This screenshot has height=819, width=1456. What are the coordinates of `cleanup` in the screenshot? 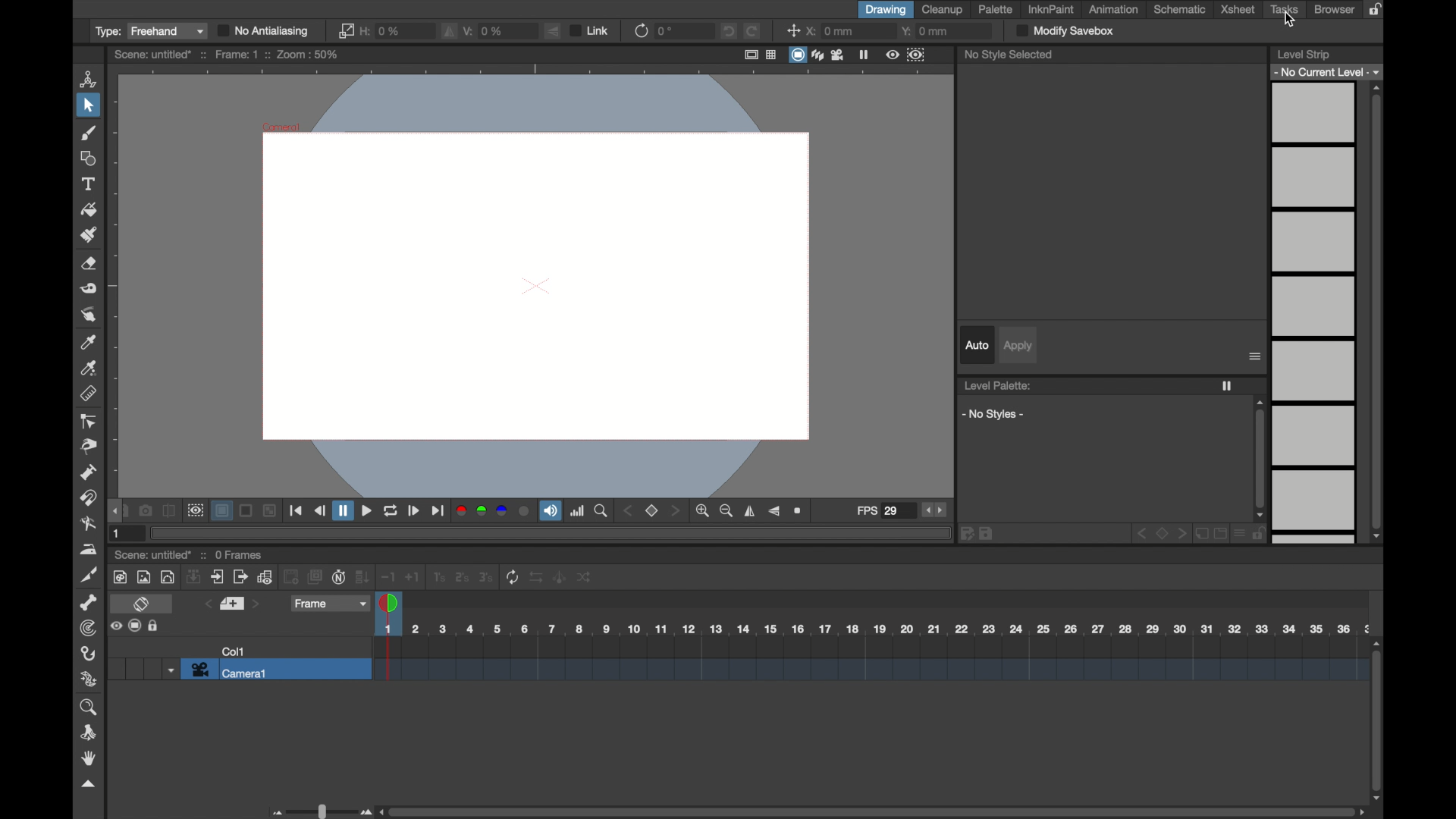 It's located at (945, 10).